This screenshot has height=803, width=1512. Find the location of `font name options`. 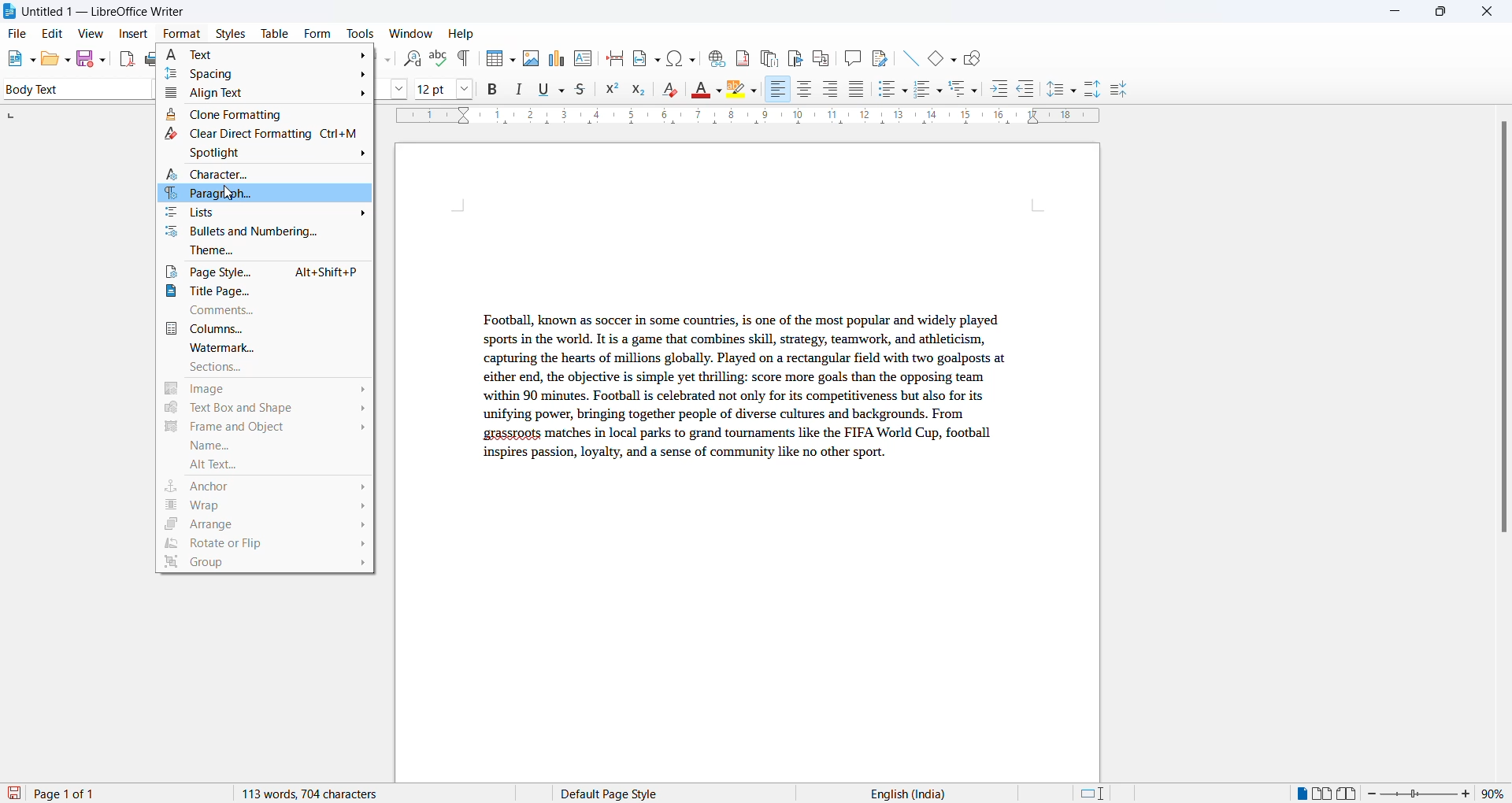

font name options is located at coordinates (403, 91).